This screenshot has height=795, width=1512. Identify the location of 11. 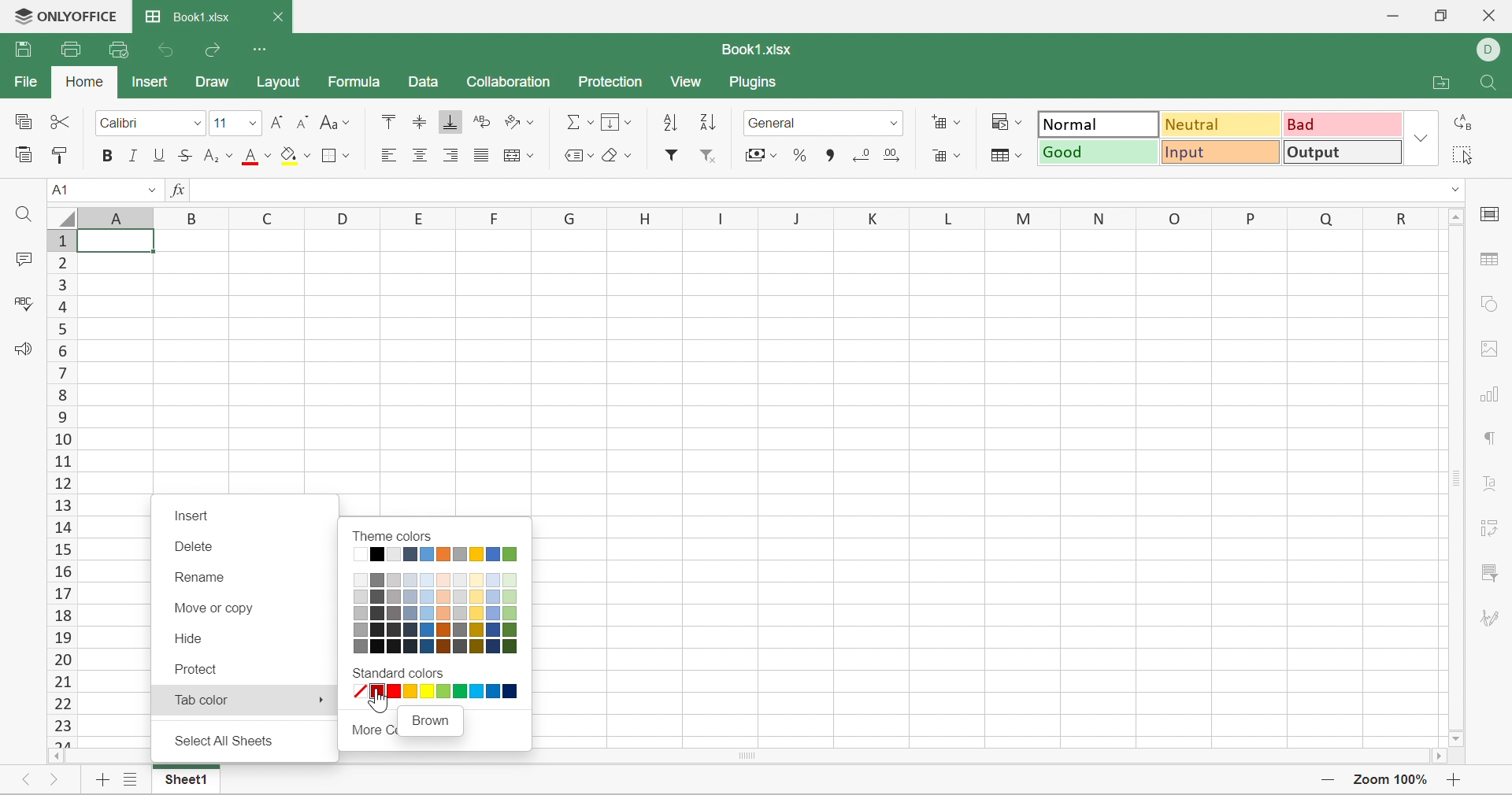
(222, 124).